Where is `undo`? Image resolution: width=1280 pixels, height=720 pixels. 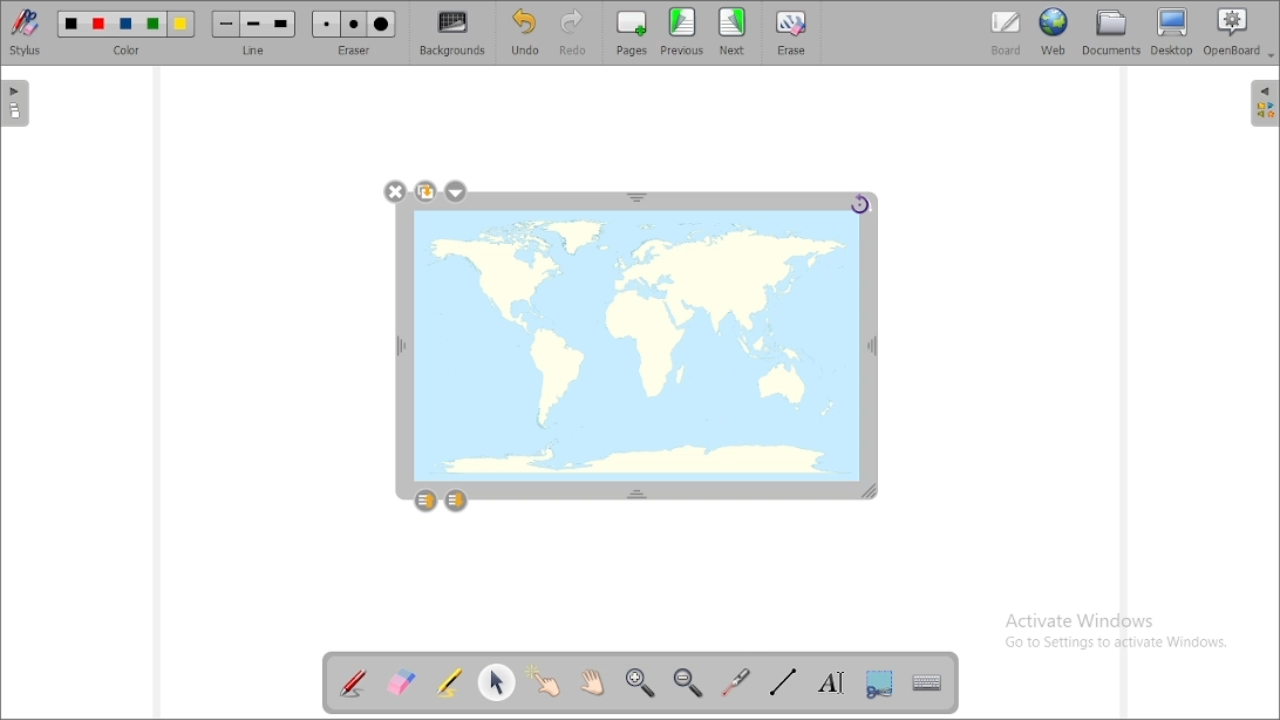
undo is located at coordinates (527, 32).